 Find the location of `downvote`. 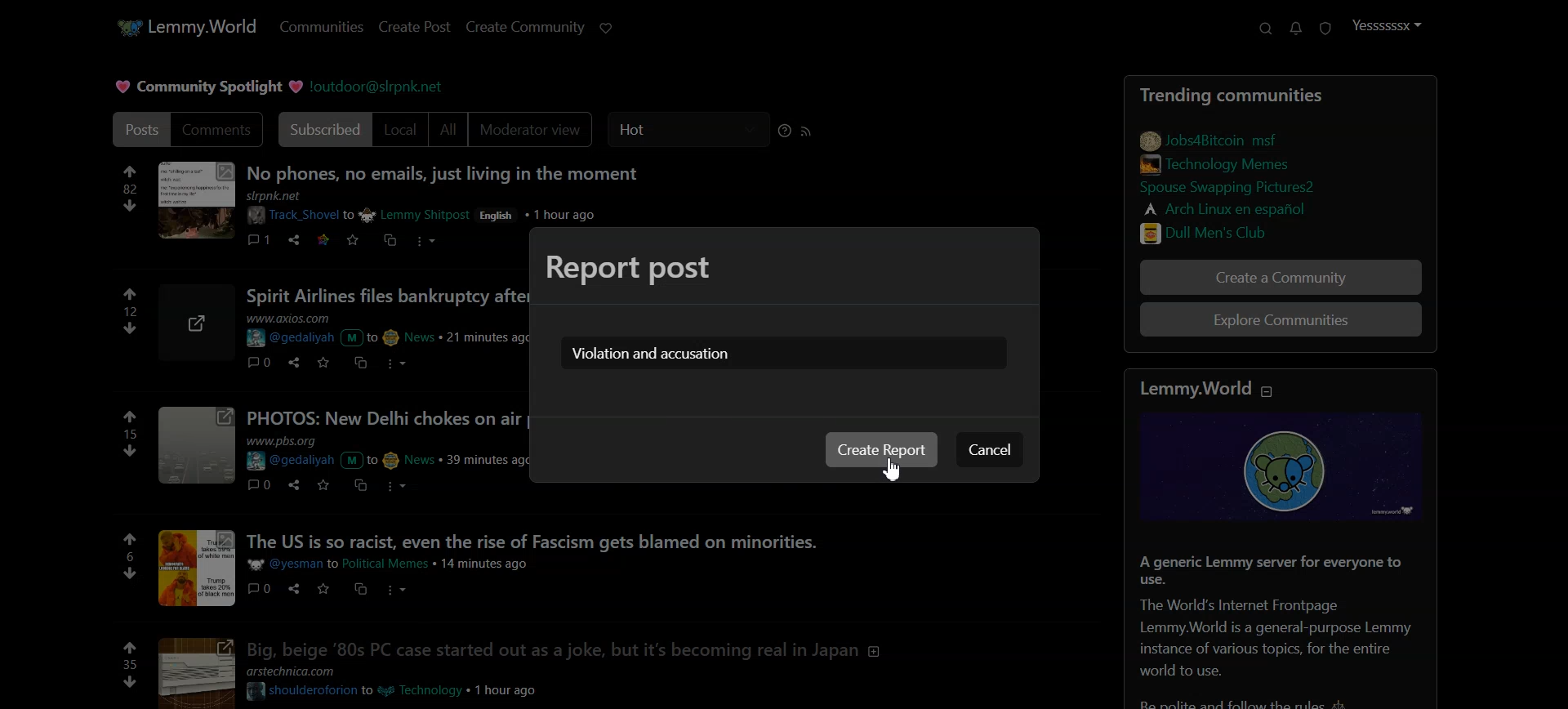

downvote is located at coordinates (132, 449).